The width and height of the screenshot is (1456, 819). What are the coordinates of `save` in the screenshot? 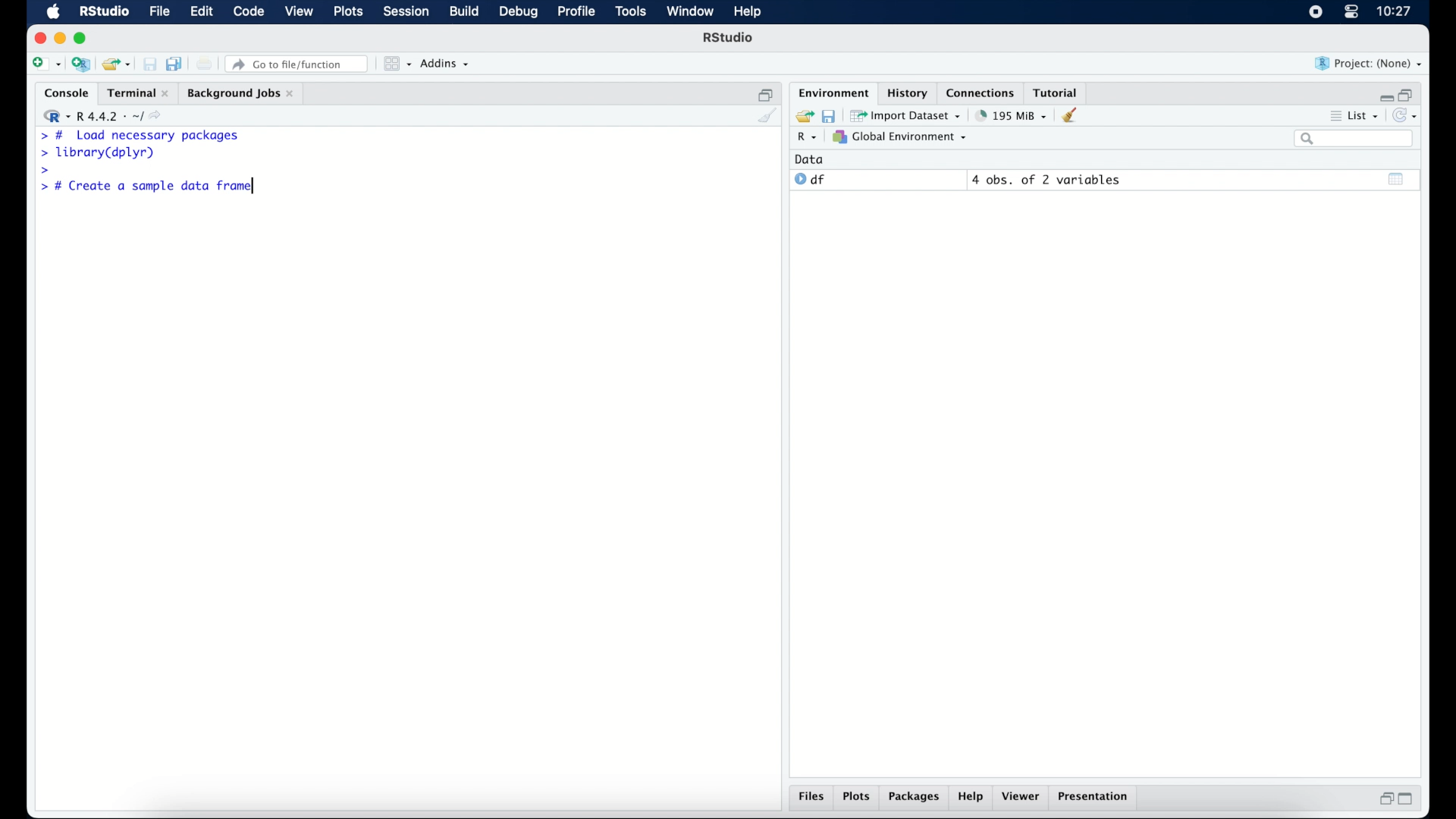 It's located at (828, 115).